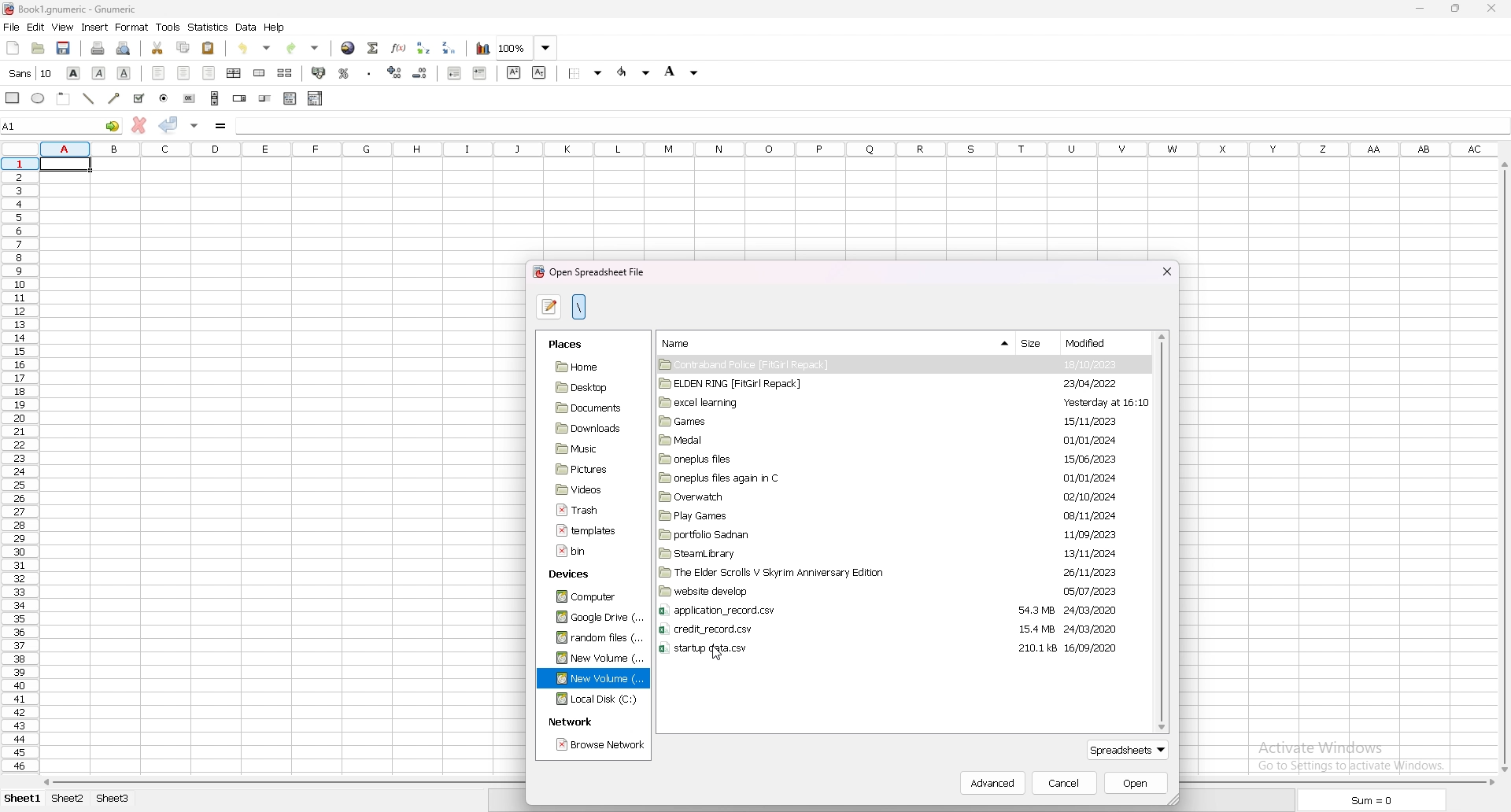 The width and height of the screenshot is (1511, 812). I want to click on print, so click(98, 47).